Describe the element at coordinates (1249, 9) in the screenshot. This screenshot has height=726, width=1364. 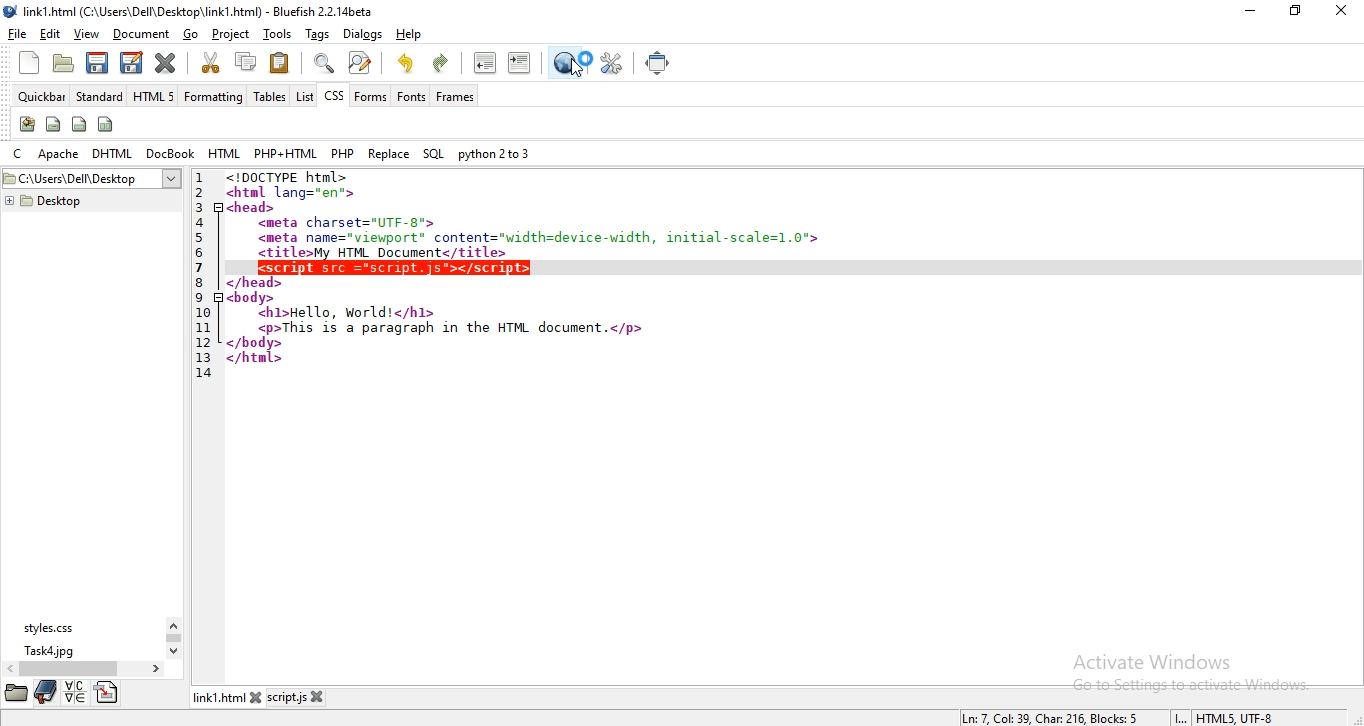
I see `minimize` at that location.